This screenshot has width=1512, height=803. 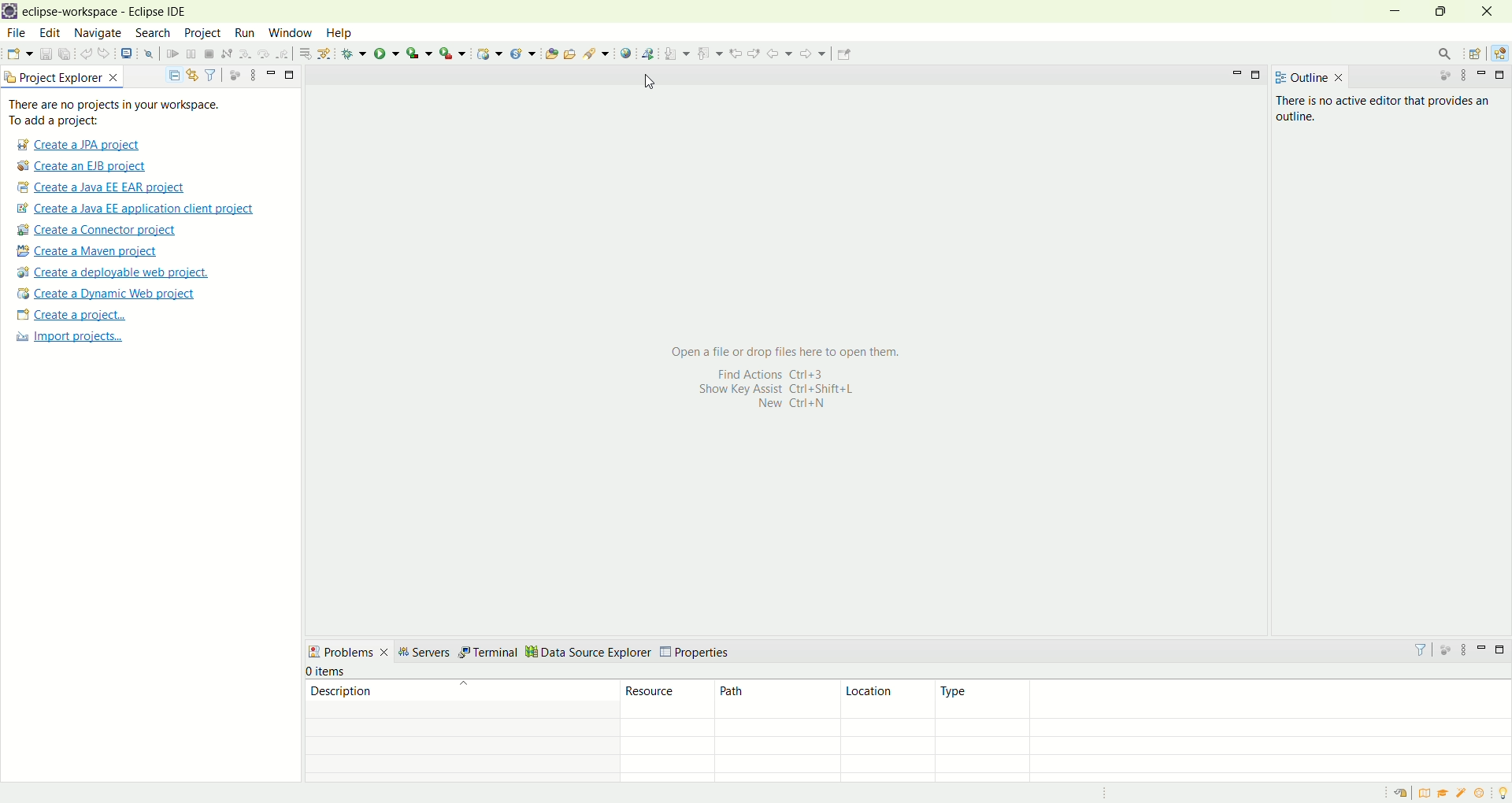 What do you see at coordinates (233, 74) in the screenshot?
I see `focus on active task` at bounding box center [233, 74].